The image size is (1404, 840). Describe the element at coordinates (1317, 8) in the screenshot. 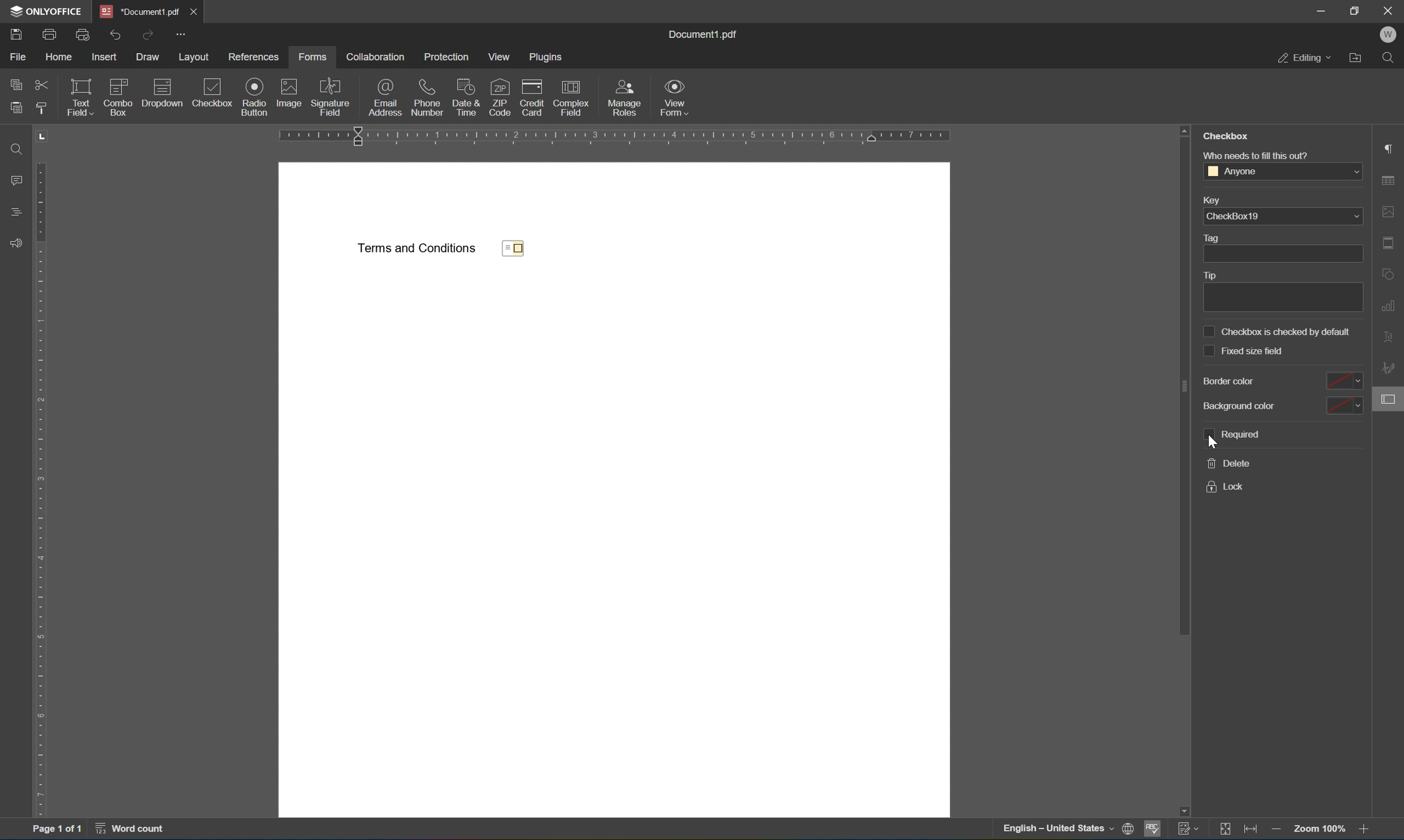

I see `minimize` at that location.